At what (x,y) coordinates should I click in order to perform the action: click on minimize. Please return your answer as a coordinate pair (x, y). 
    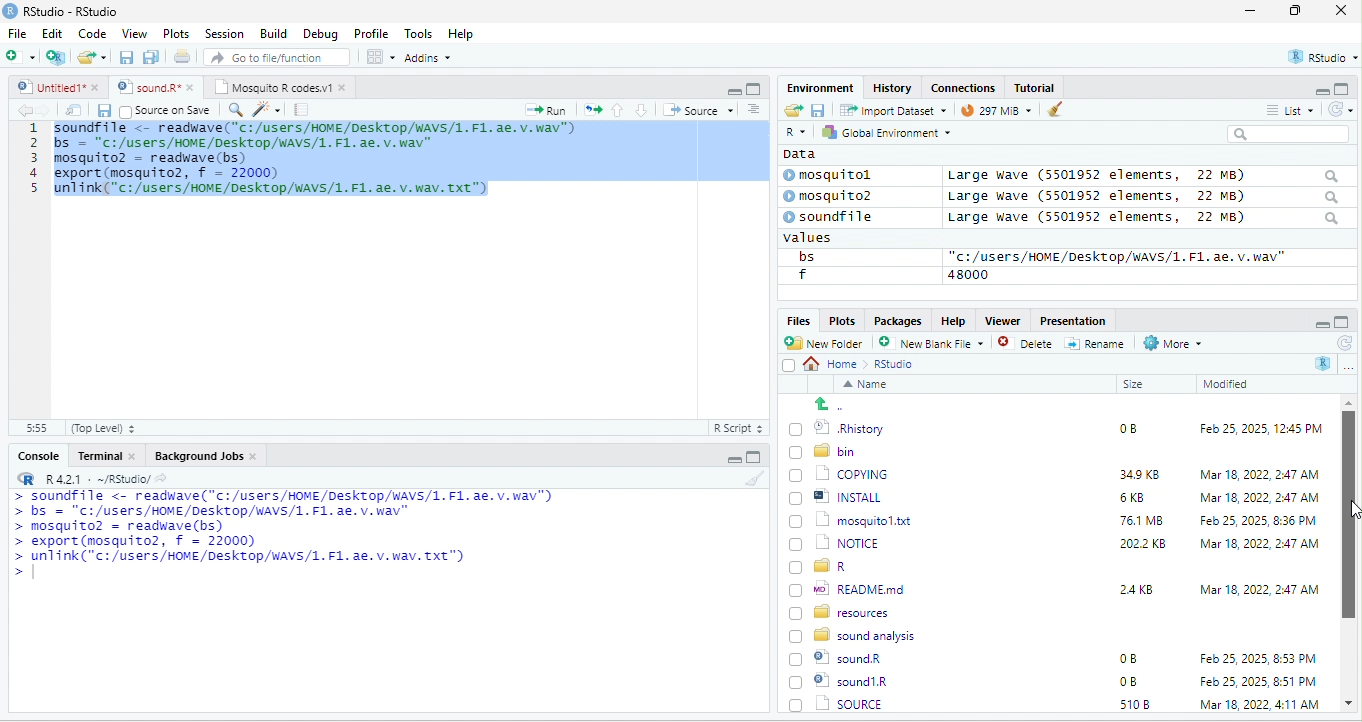
    Looking at the image, I should click on (1320, 323).